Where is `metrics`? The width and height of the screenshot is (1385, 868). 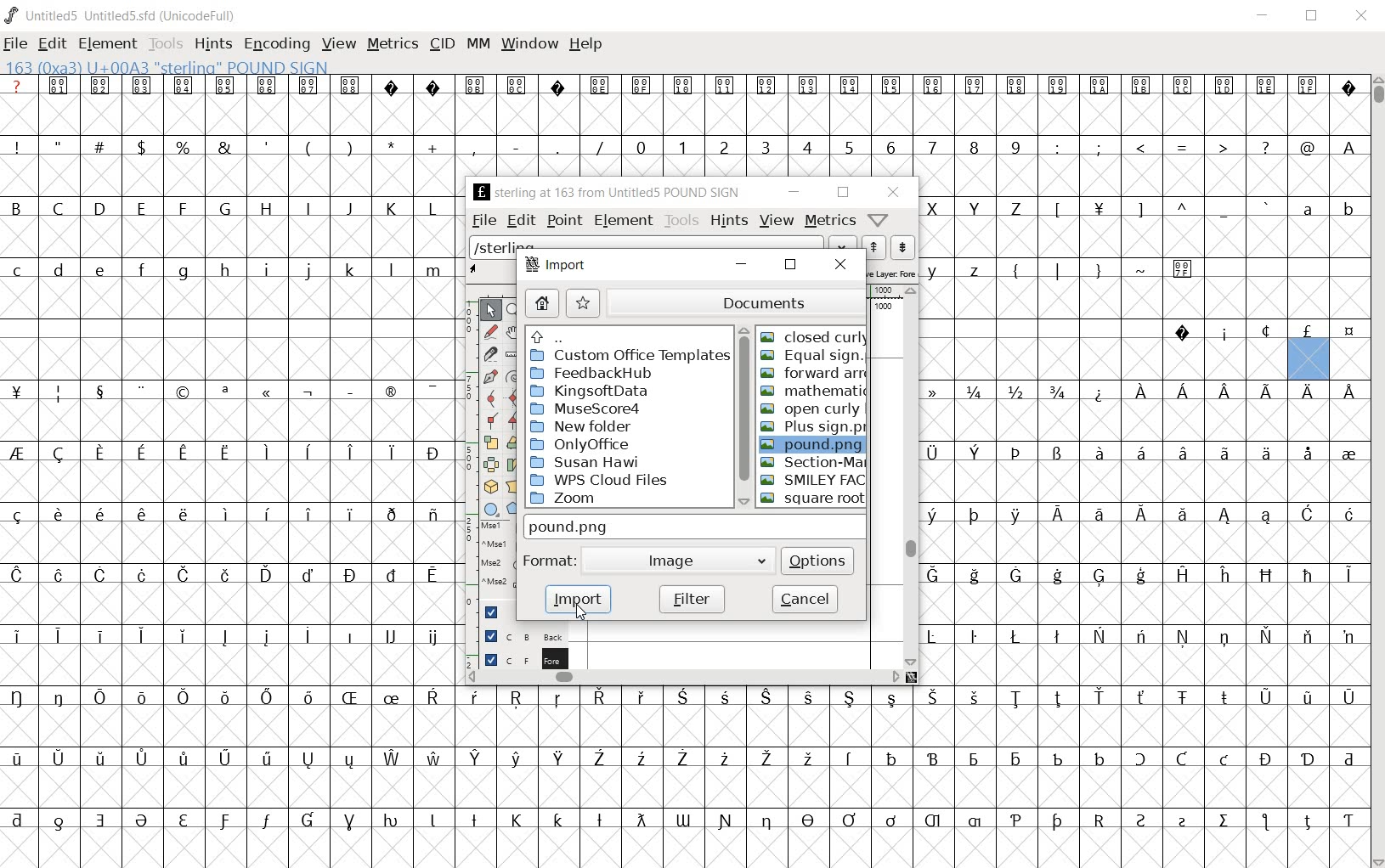
metrics is located at coordinates (830, 220).